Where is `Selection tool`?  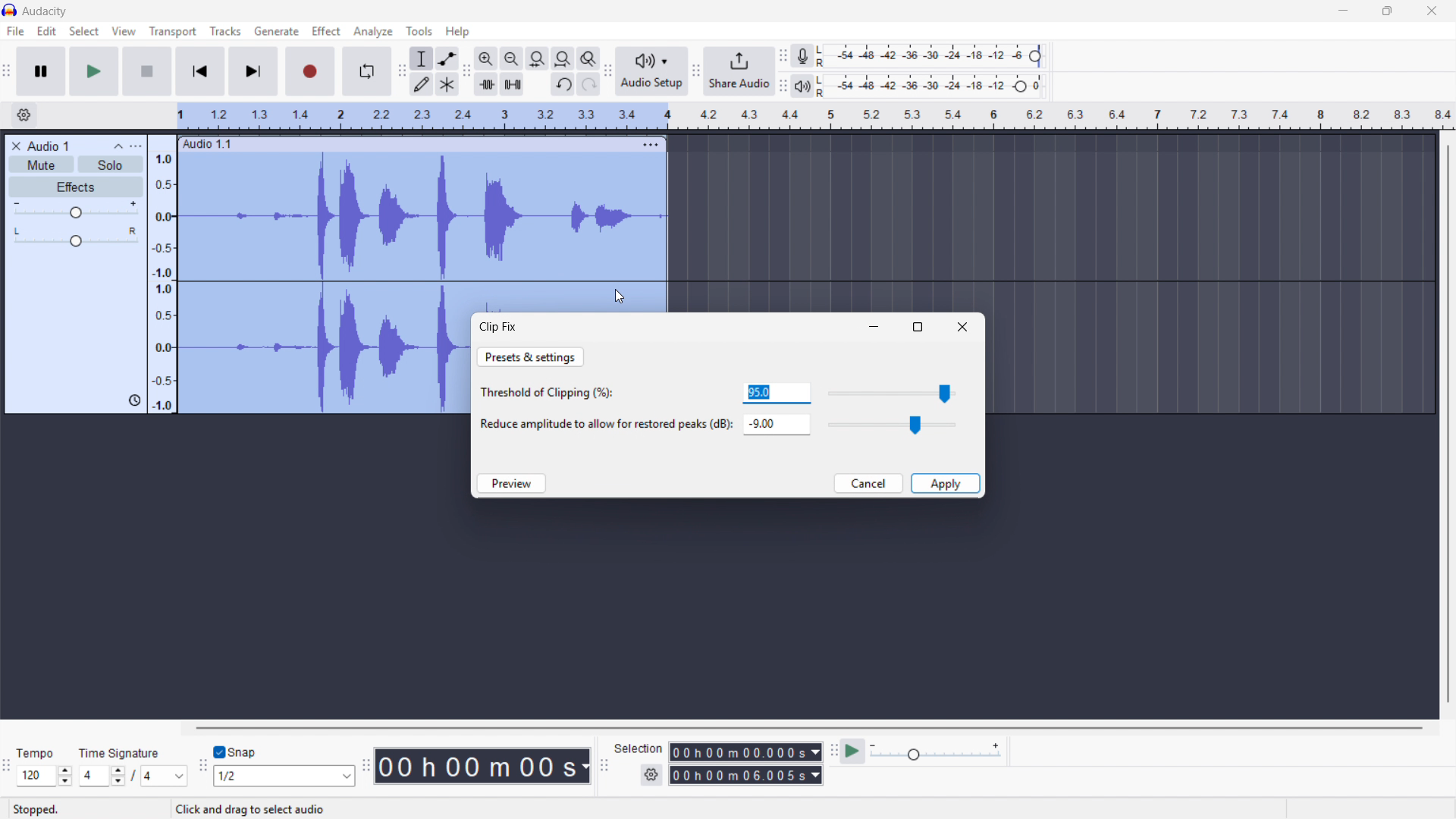 Selection tool is located at coordinates (422, 58).